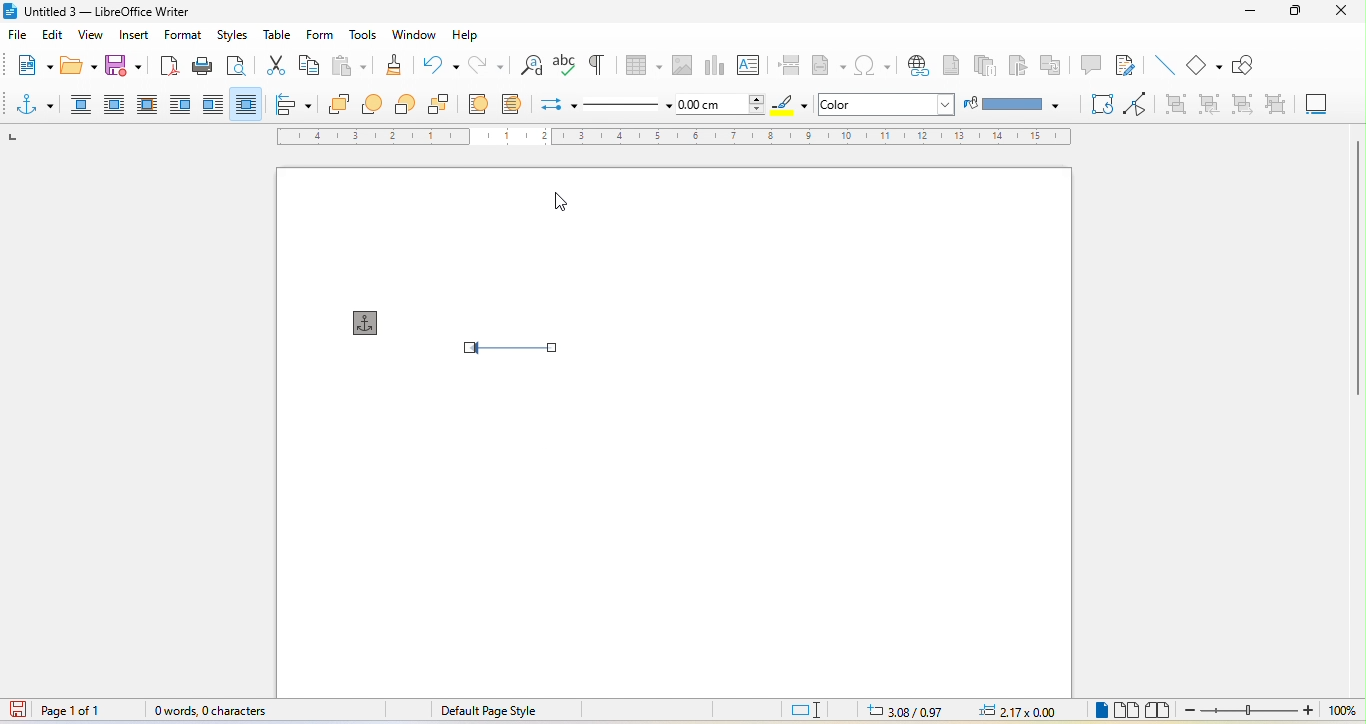 The image size is (1366, 724). Describe the element at coordinates (181, 103) in the screenshot. I see `before` at that location.